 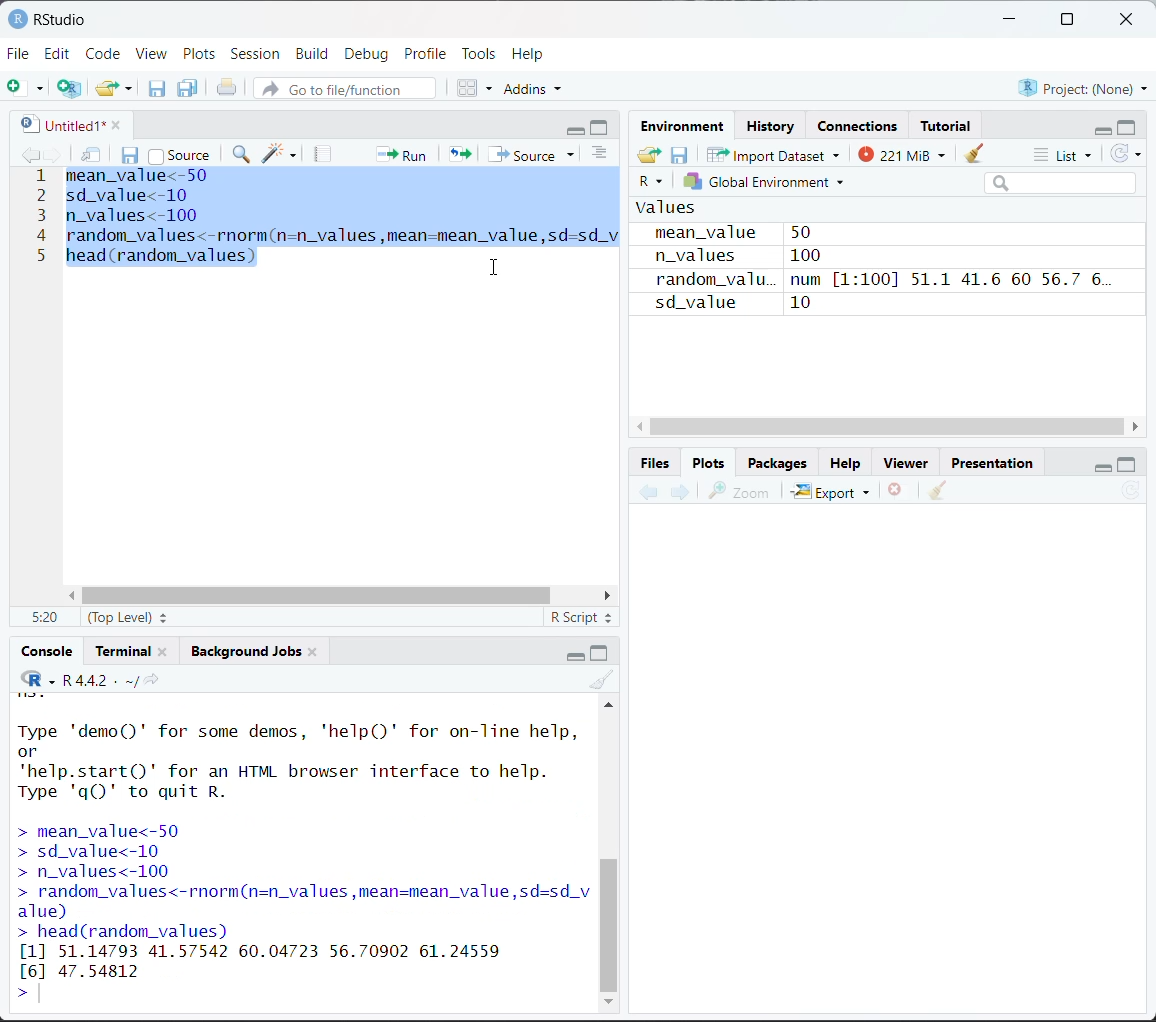 What do you see at coordinates (366, 54) in the screenshot?
I see `Debug` at bounding box center [366, 54].